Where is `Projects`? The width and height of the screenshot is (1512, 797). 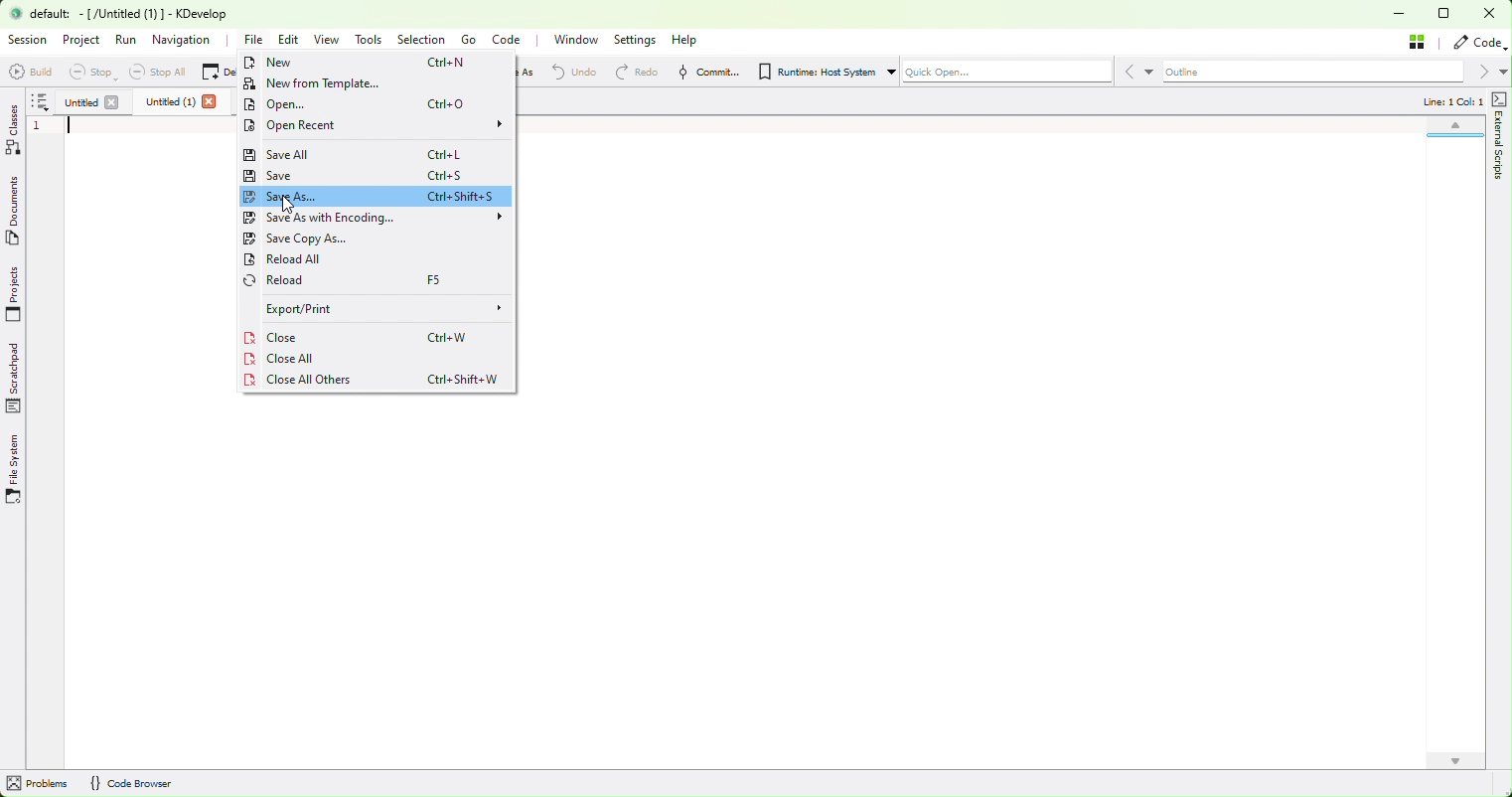 Projects is located at coordinates (16, 293).